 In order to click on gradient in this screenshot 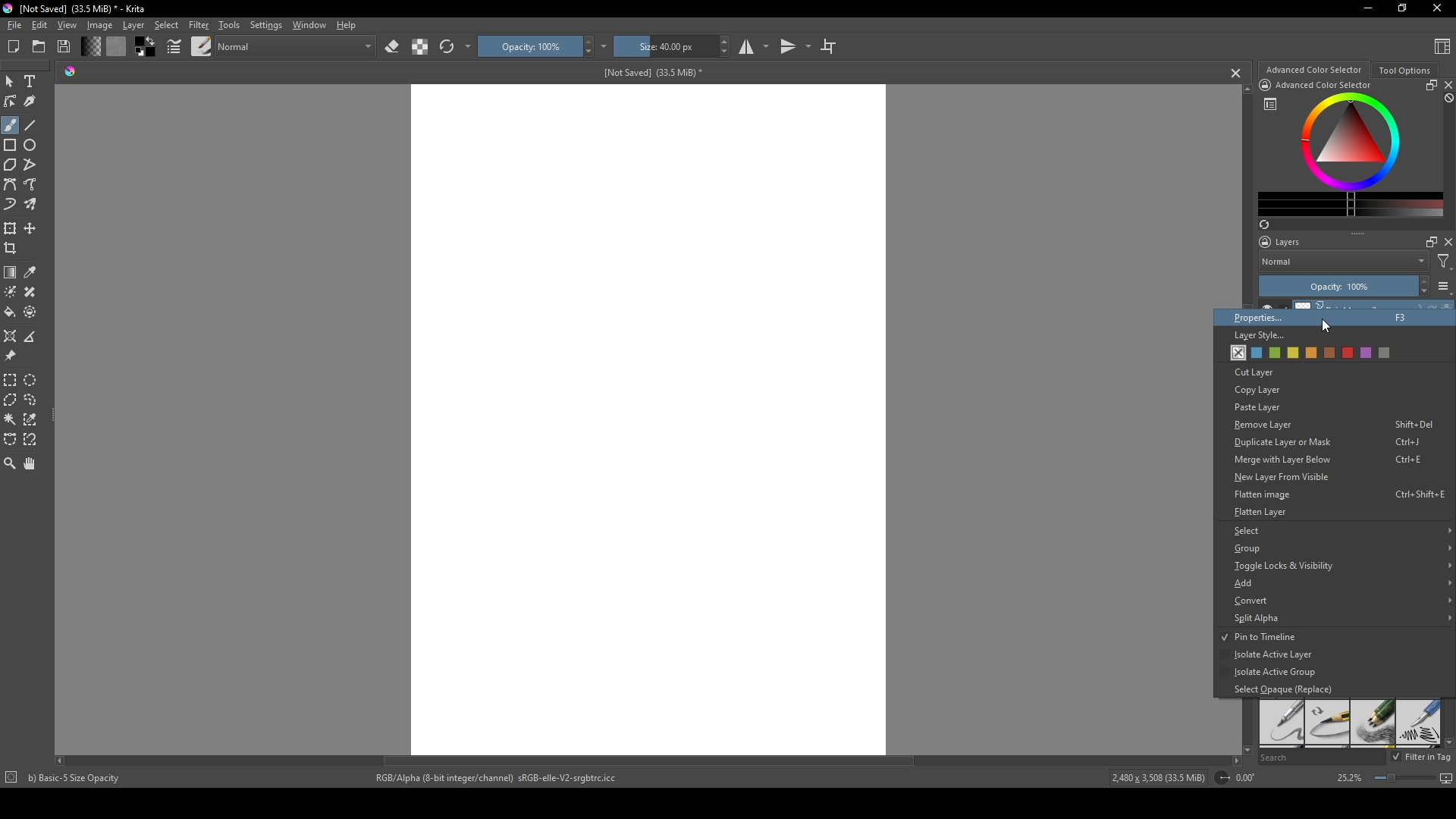, I will do `click(11, 272)`.